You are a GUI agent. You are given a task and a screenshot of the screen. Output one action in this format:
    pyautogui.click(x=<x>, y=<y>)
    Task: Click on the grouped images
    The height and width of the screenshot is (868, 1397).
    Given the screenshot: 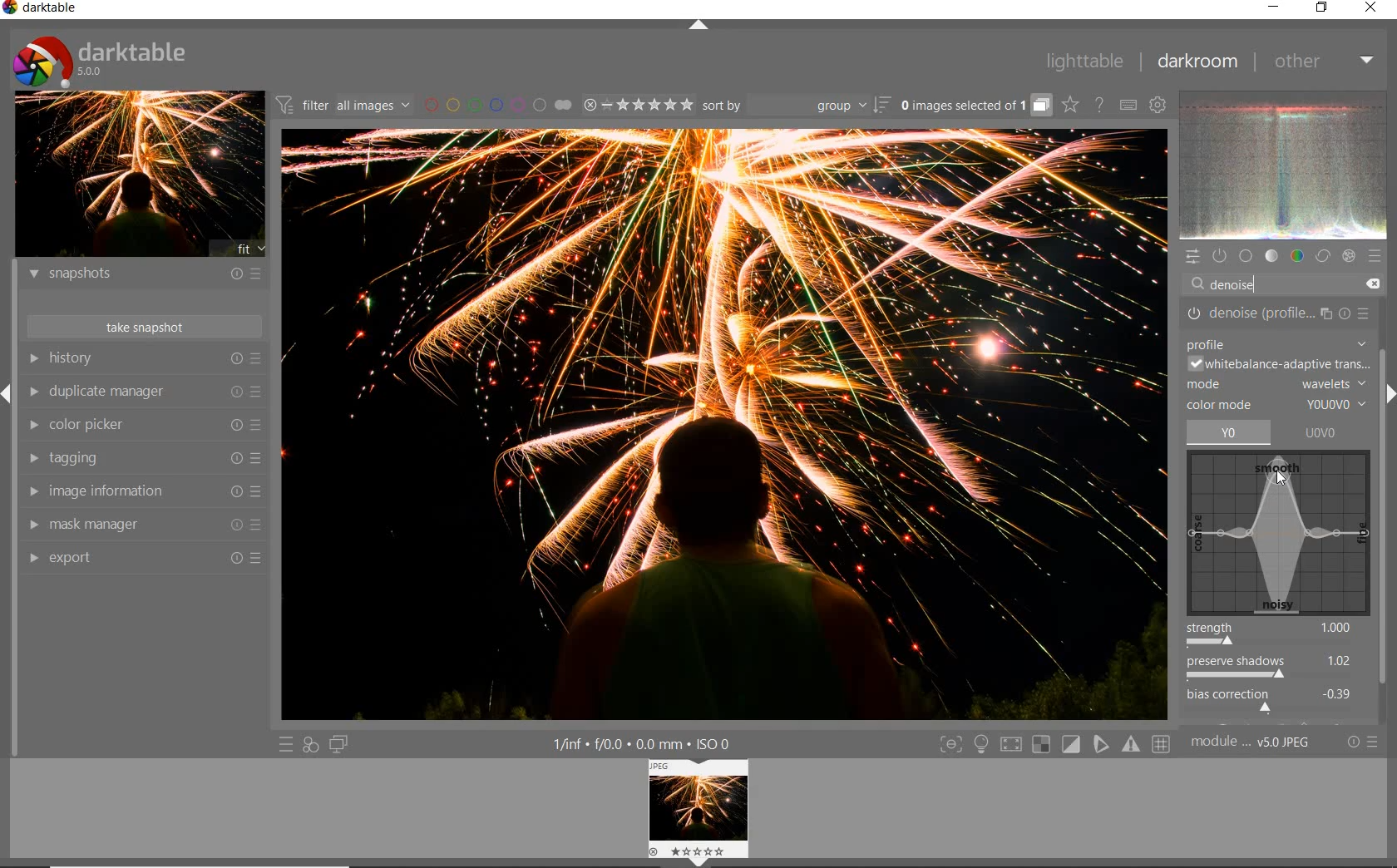 What is the action you would take?
    pyautogui.click(x=975, y=104)
    